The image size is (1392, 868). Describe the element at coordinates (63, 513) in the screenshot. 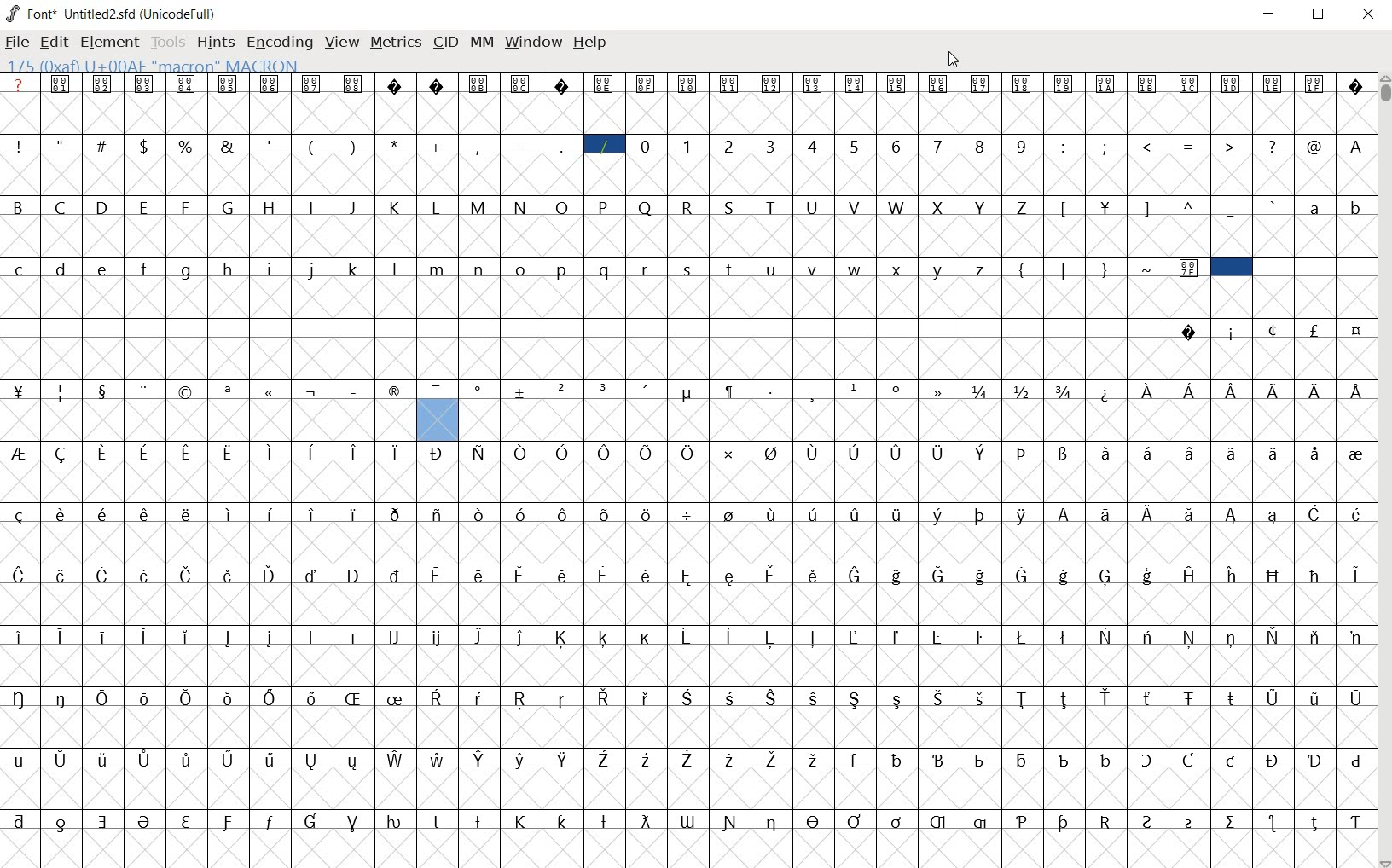

I see `Symbol` at that location.